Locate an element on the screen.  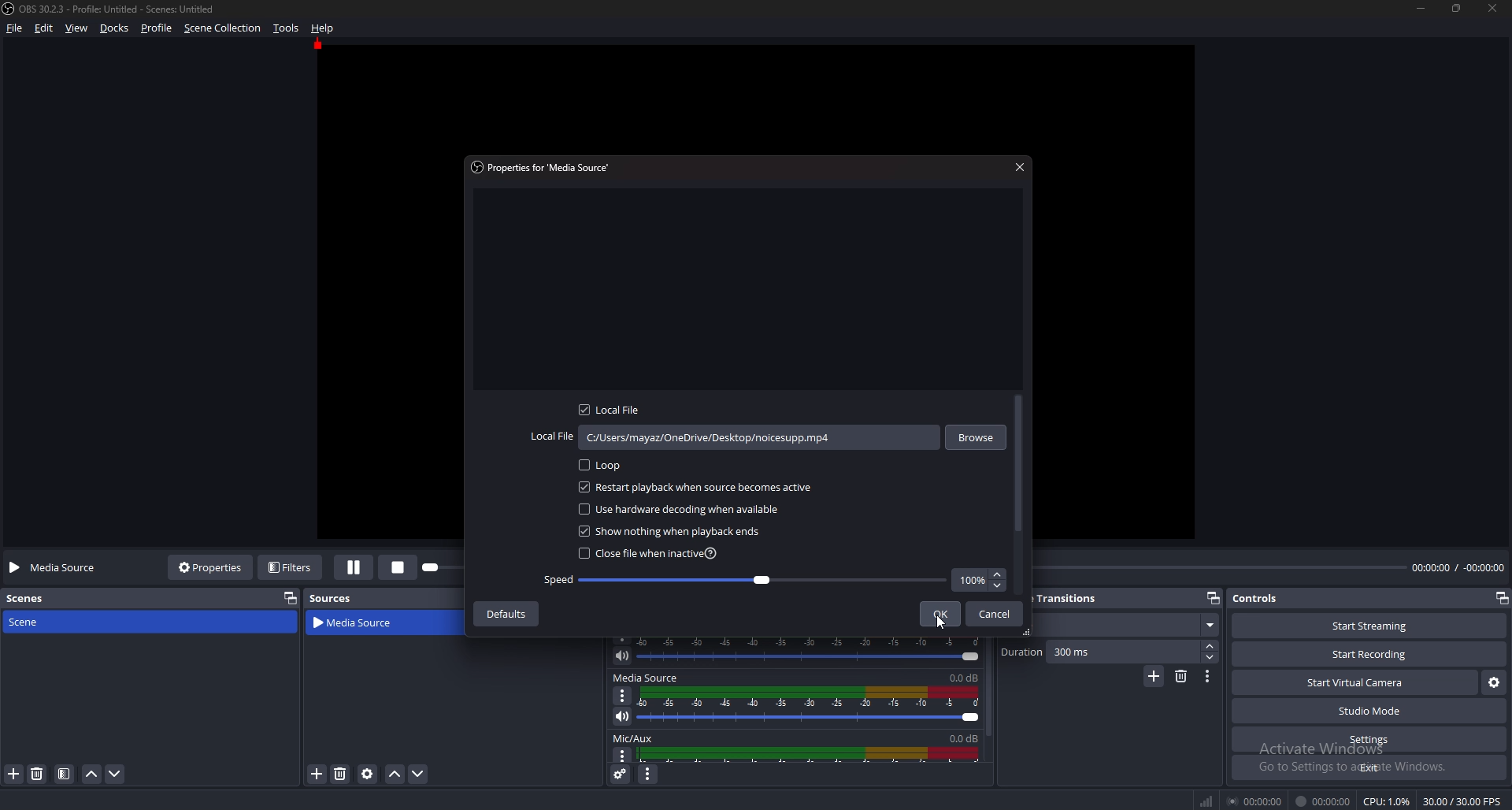
mic/aux is located at coordinates (636, 738).